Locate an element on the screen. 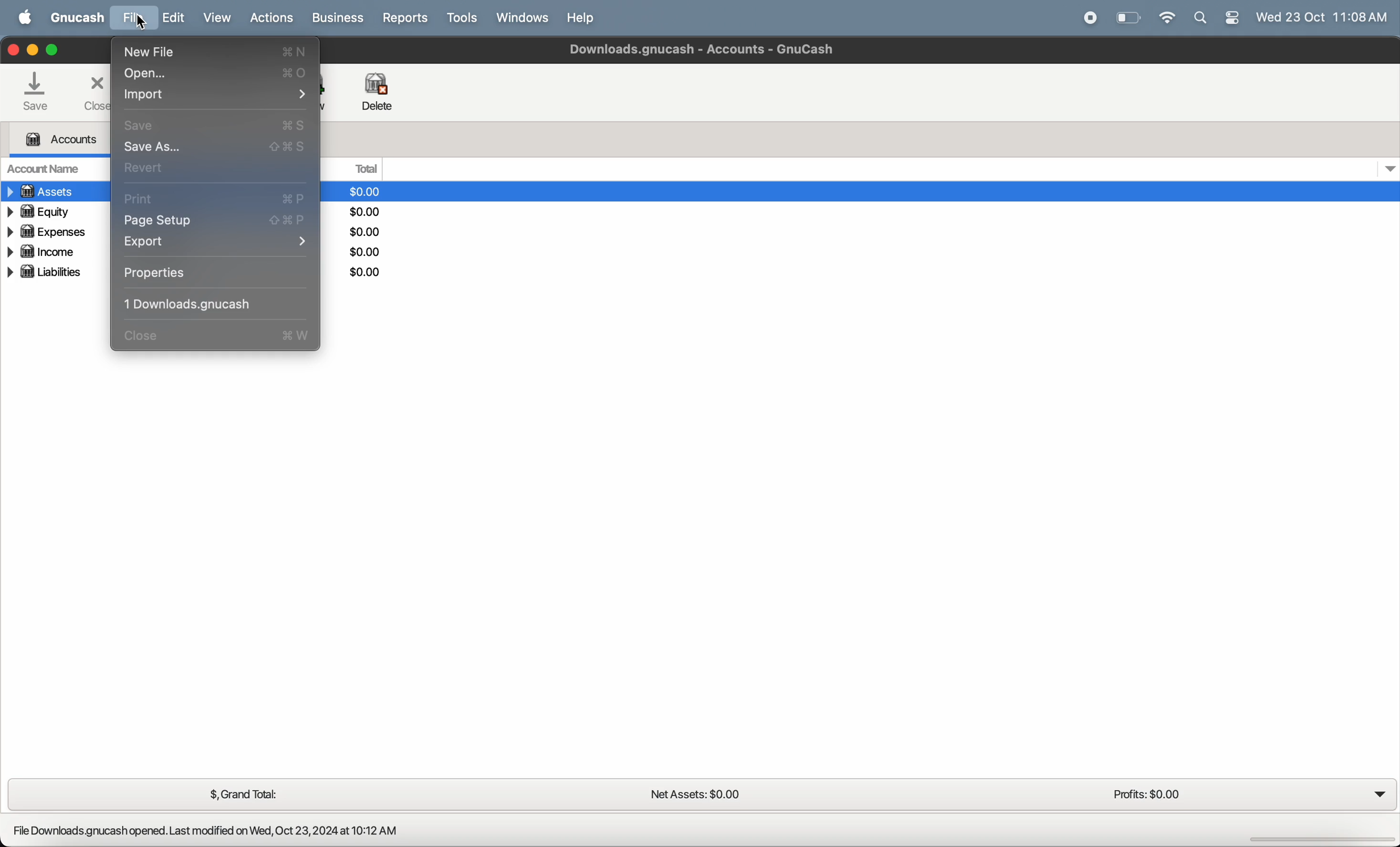 The image size is (1400, 847). wifi is located at coordinates (1166, 18).